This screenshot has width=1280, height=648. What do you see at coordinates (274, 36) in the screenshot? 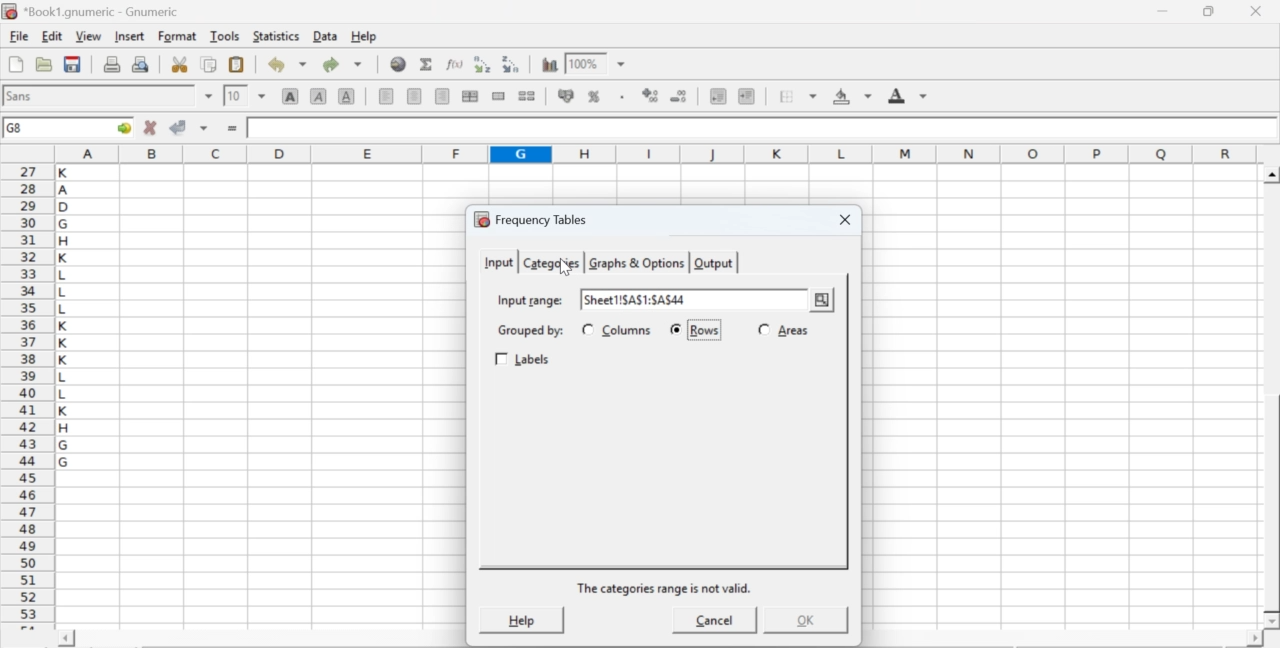
I see `statistics` at bounding box center [274, 36].